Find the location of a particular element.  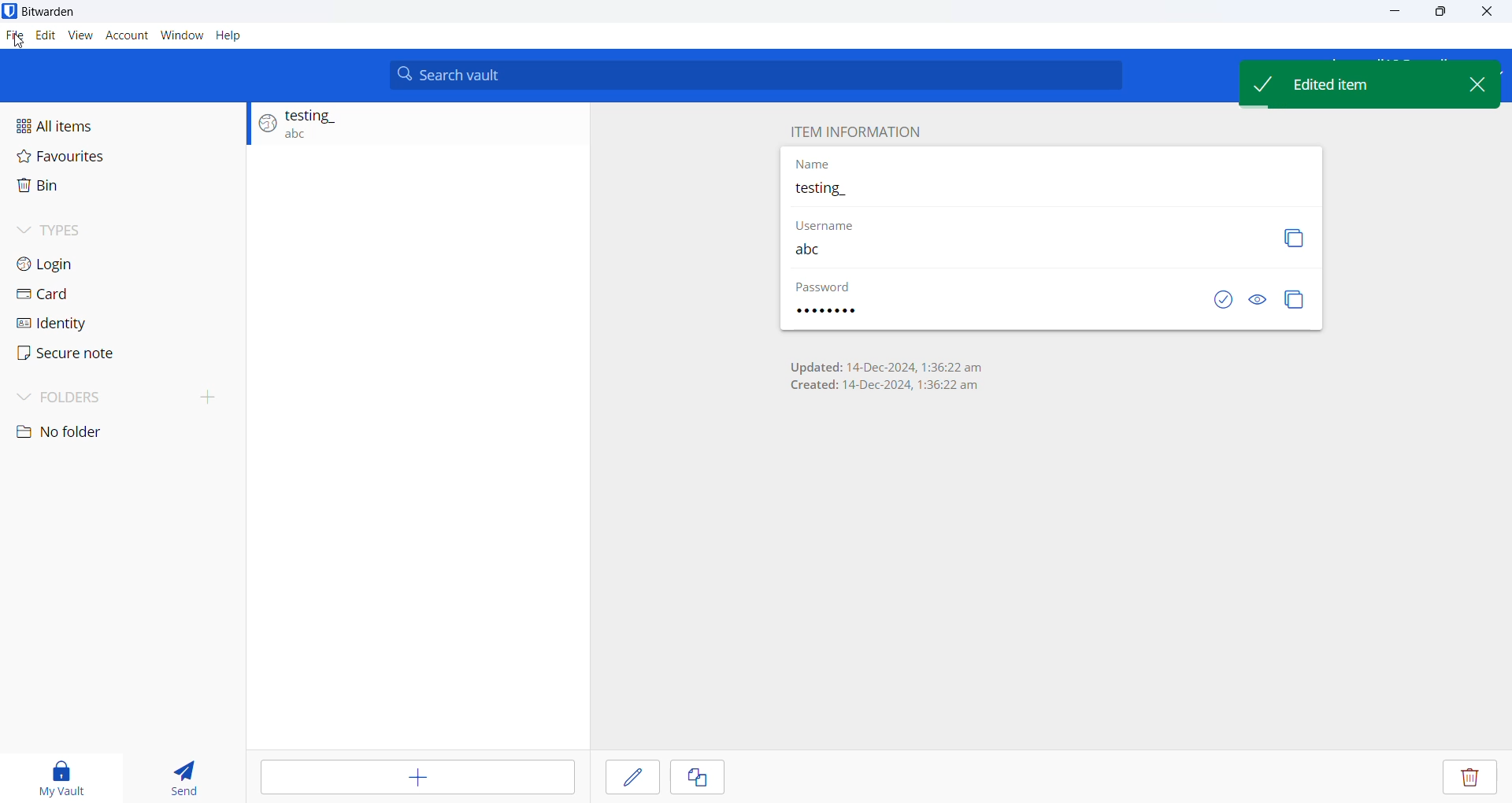

view is located at coordinates (80, 34).